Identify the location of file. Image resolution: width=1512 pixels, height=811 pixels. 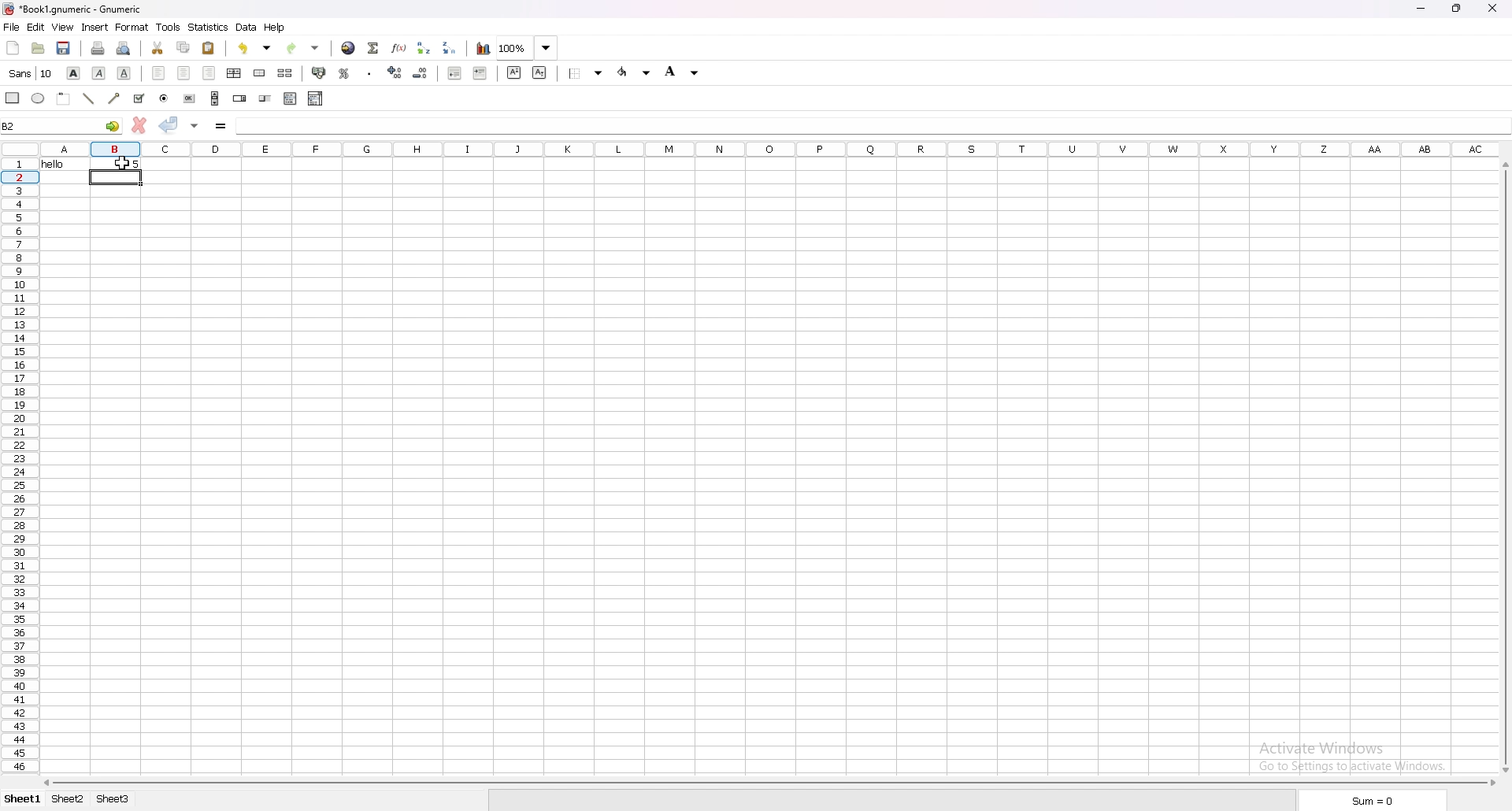
(11, 27).